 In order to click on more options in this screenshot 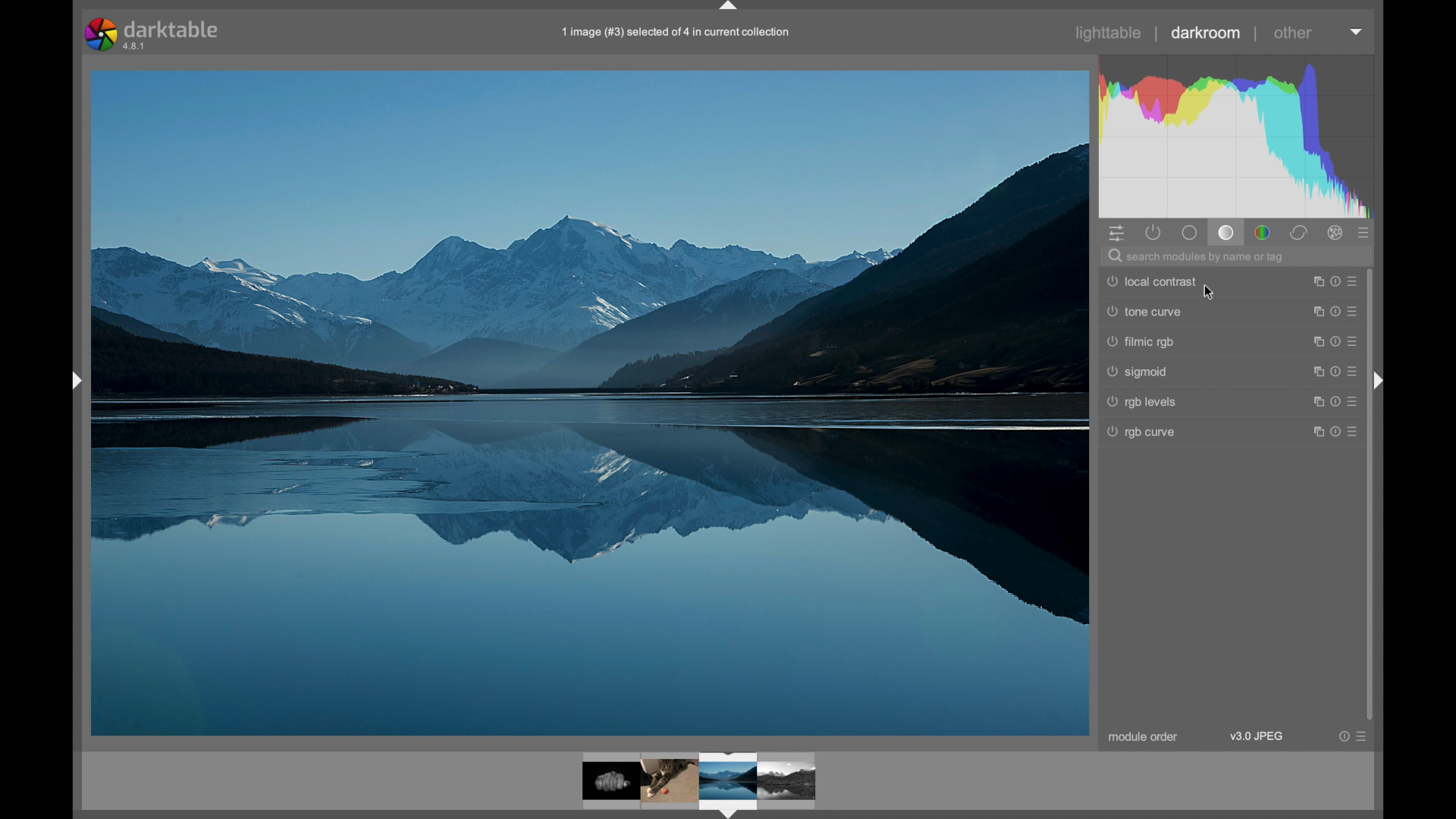, I will do `click(1335, 401)`.